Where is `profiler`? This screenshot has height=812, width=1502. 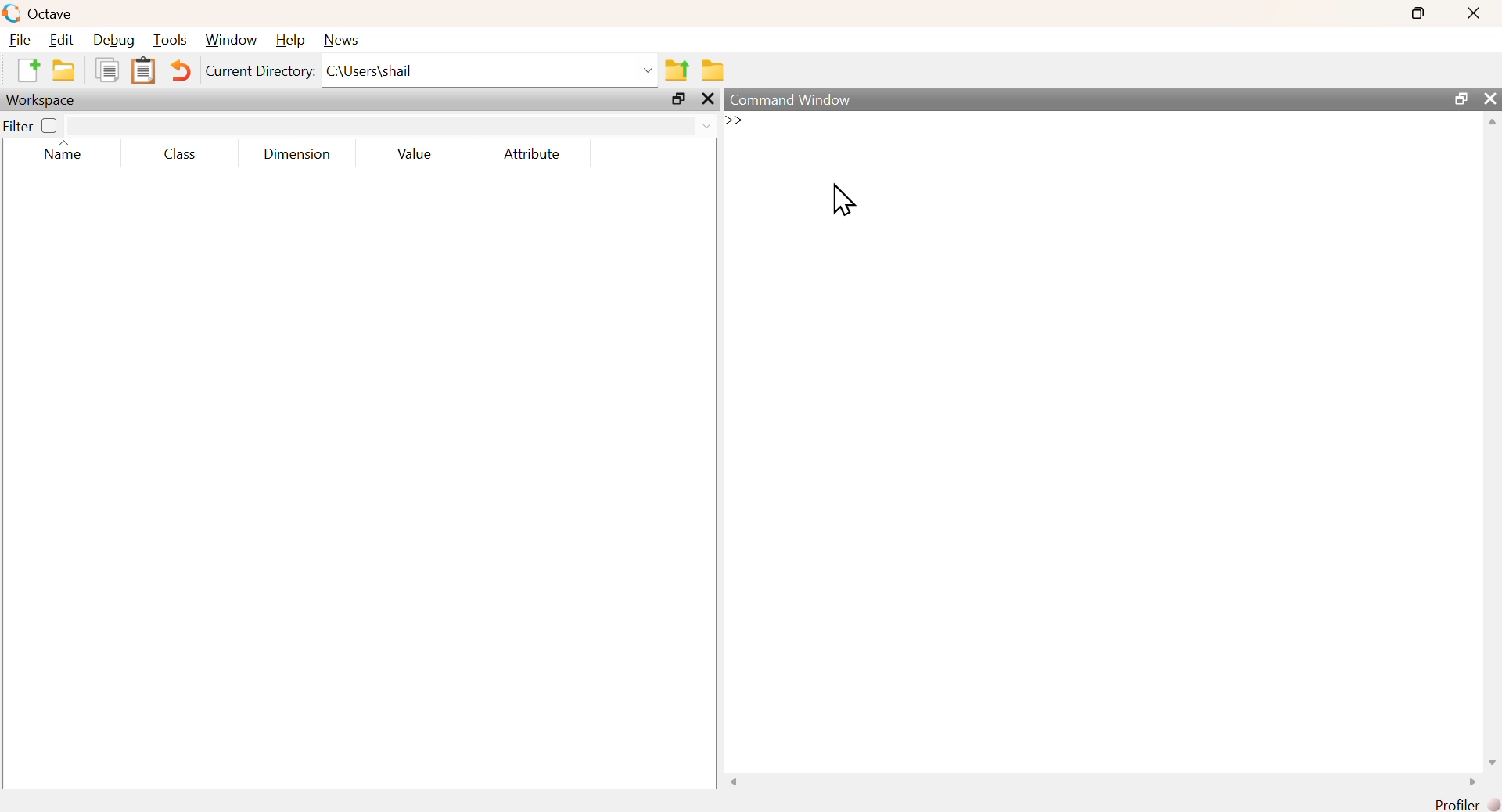 profiler is located at coordinates (1463, 804).